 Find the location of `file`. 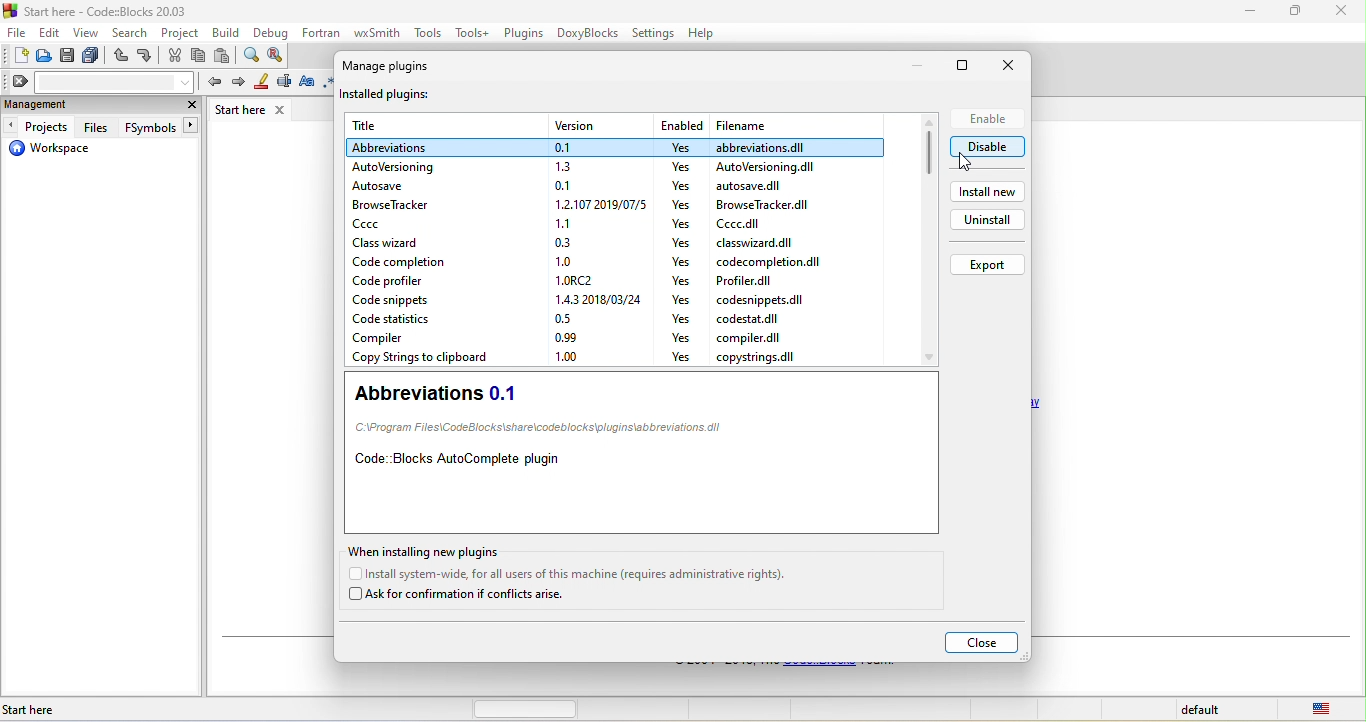

file is located at coordinates (764, 206).